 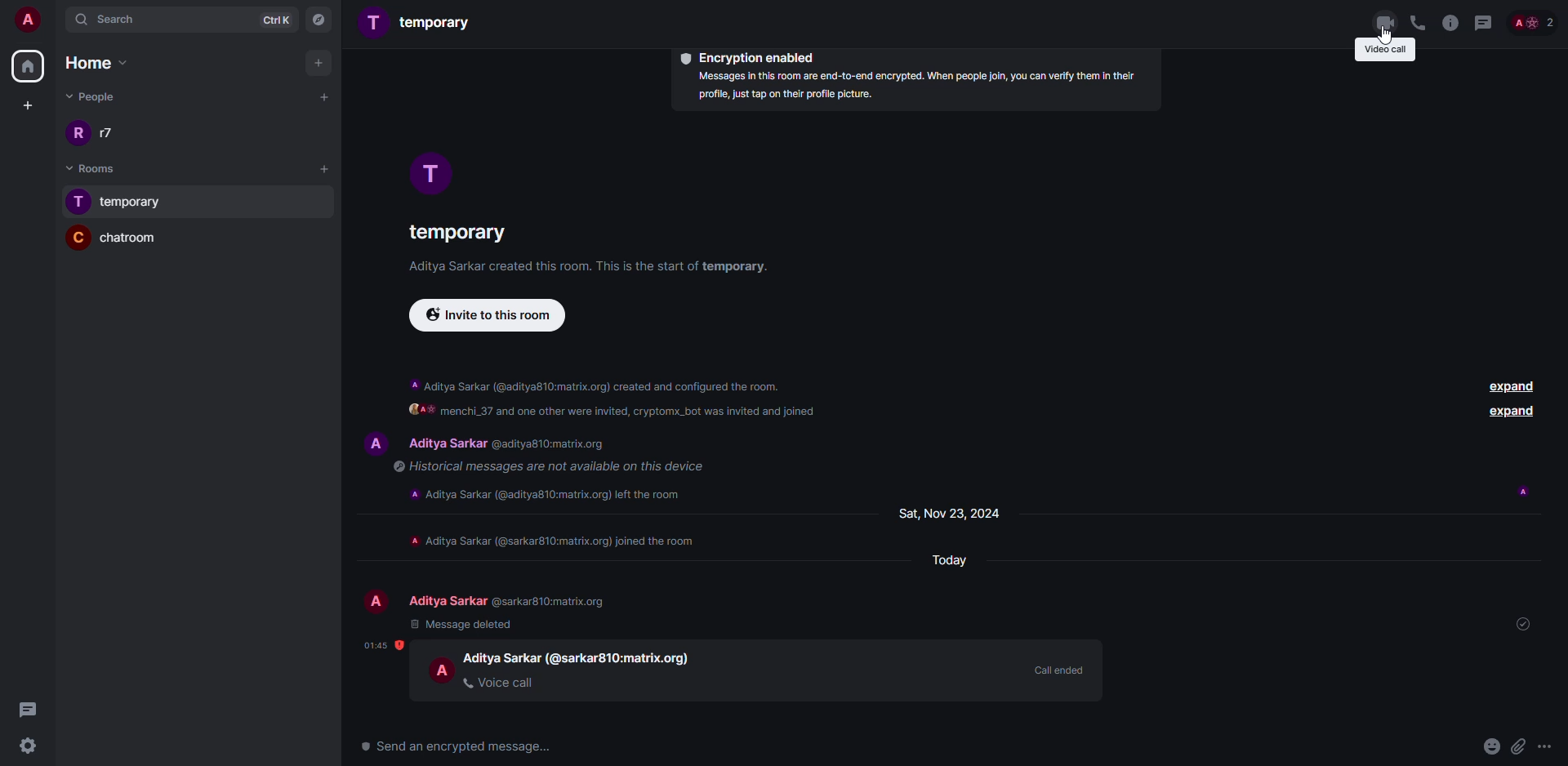 I want to click on info, so click(x=555, y=467).